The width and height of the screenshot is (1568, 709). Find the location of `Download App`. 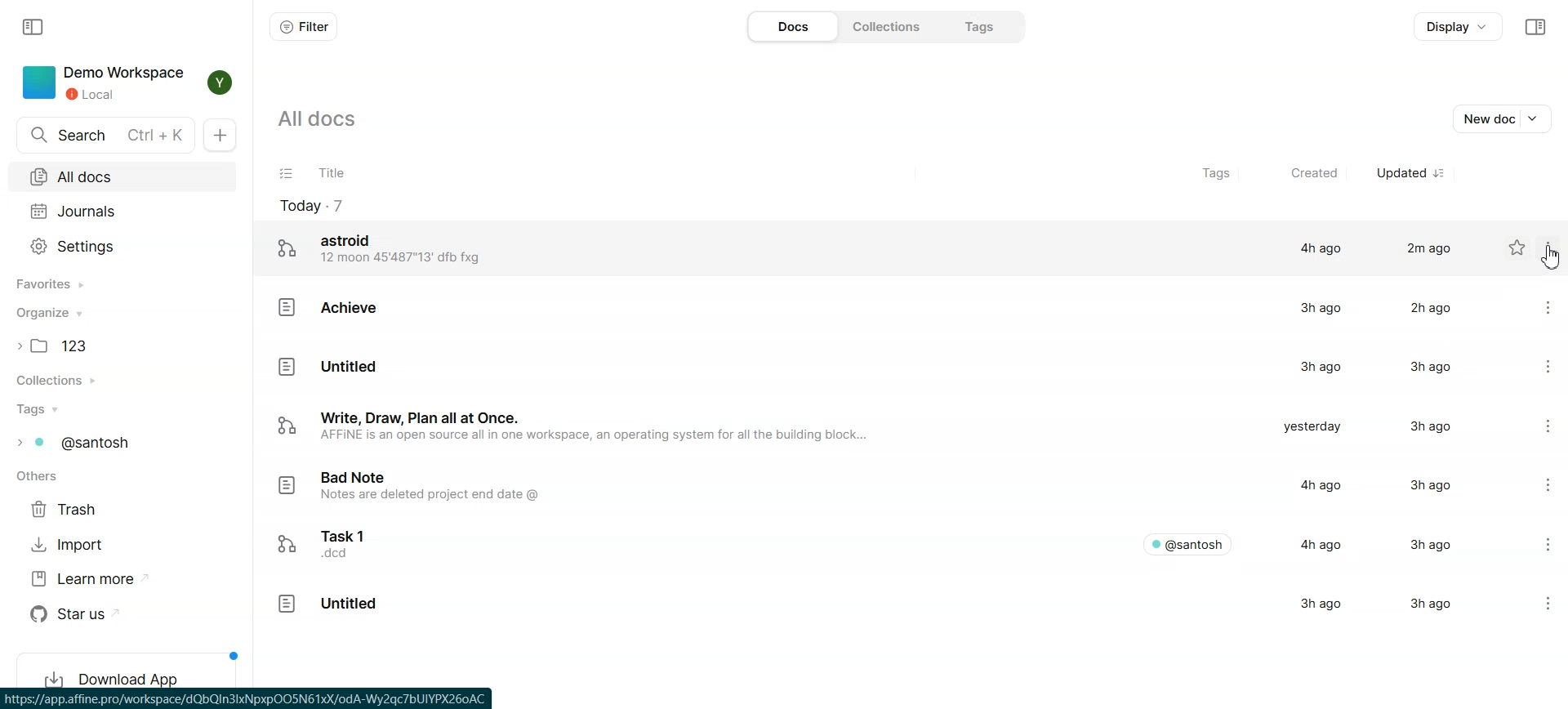

Download App is located at coordinates (127, 668).